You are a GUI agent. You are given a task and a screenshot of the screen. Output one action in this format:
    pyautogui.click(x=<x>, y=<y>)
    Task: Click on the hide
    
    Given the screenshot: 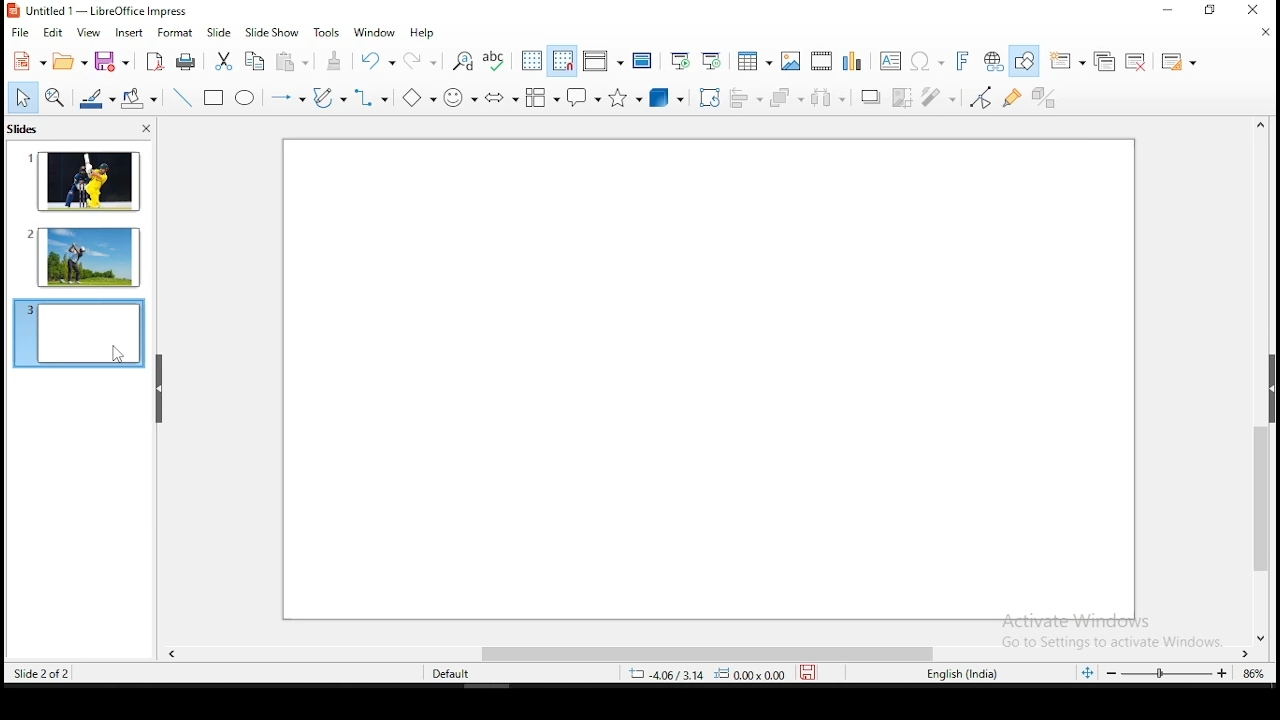 What is the action you would take?
    pyautogui.click(x=1272, y=381)
    